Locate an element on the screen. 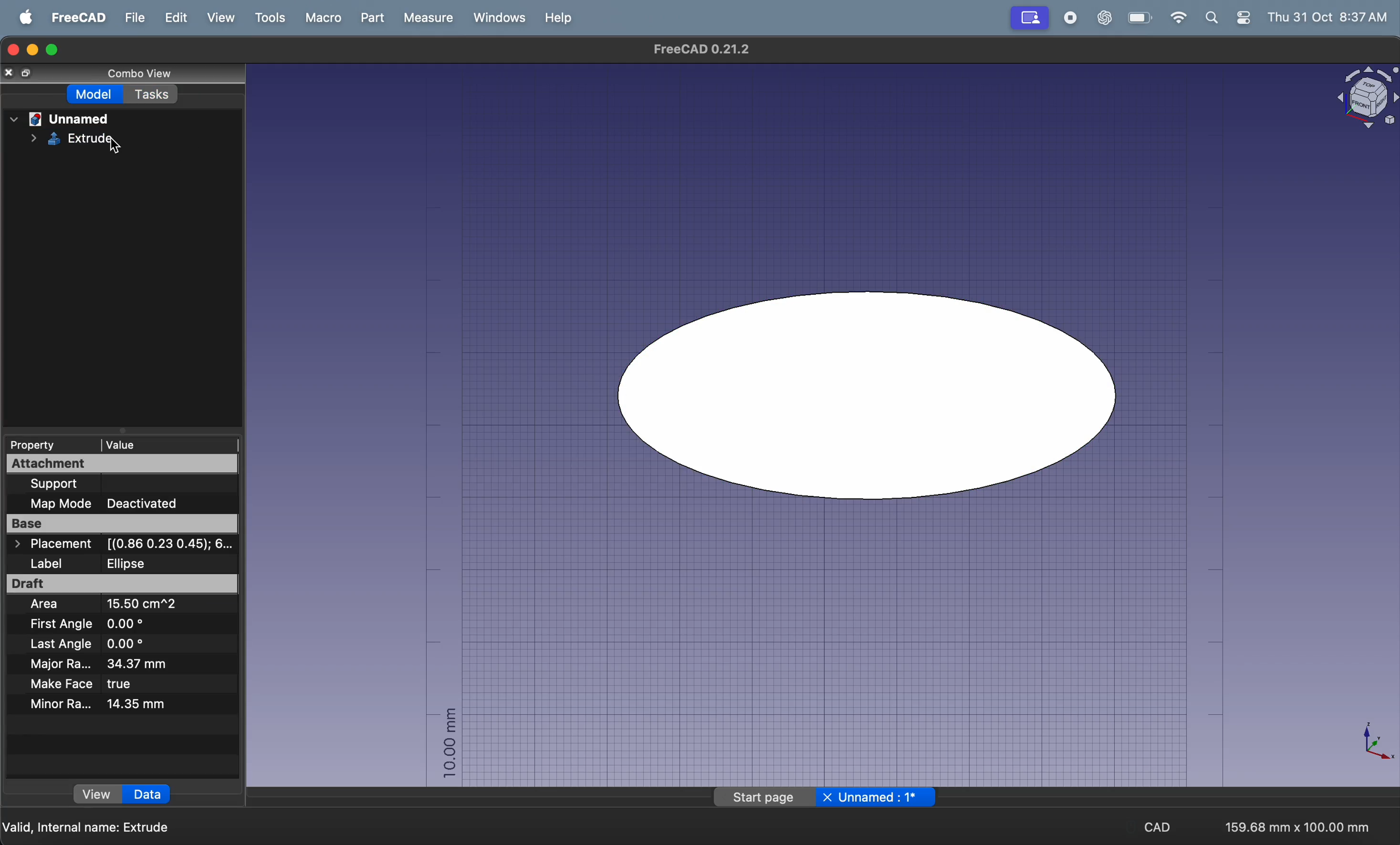 The height and width of the screenshot is (845, 1400). object title is located at coordinates (1352, 99).